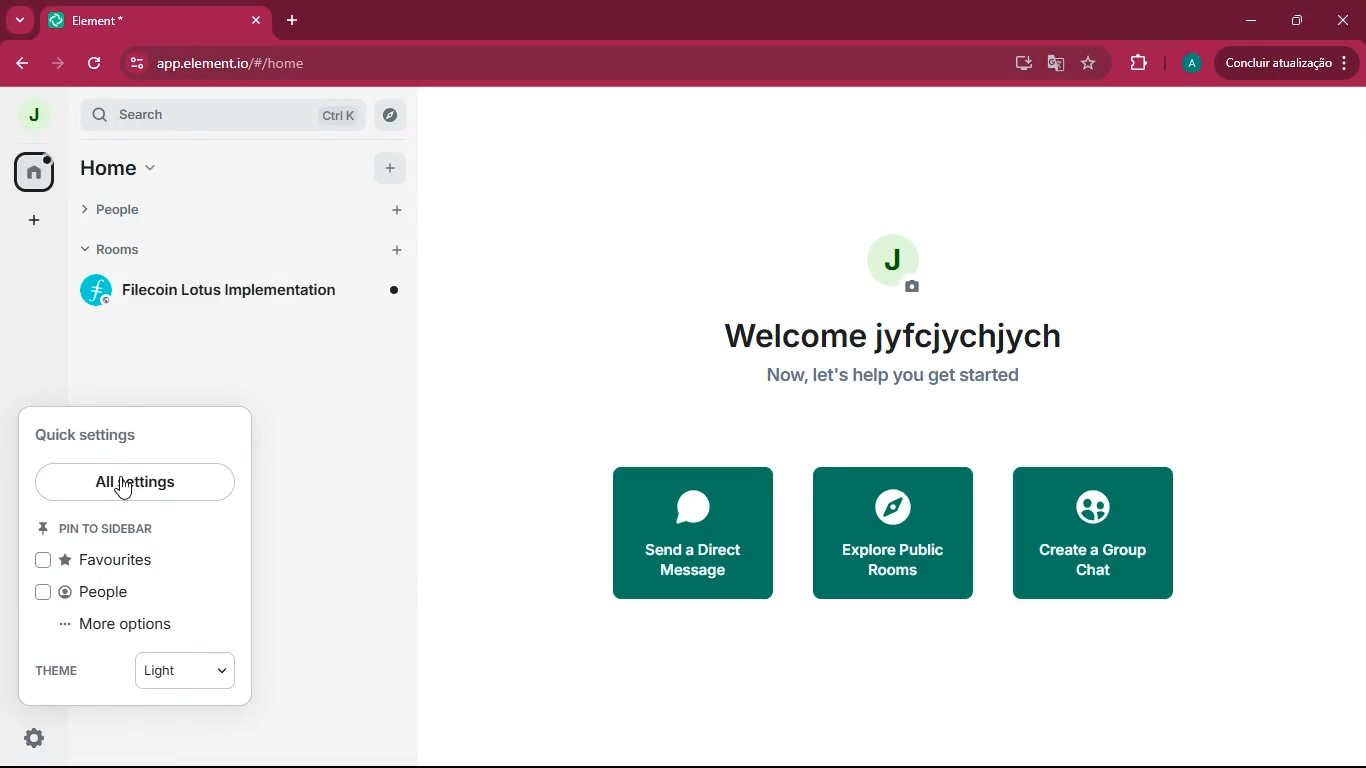 The height and width of the screenshot is (768, 1366). Describe the element at coordinates (1088, 64) in the screenshot. I see `favourite ` at that location.